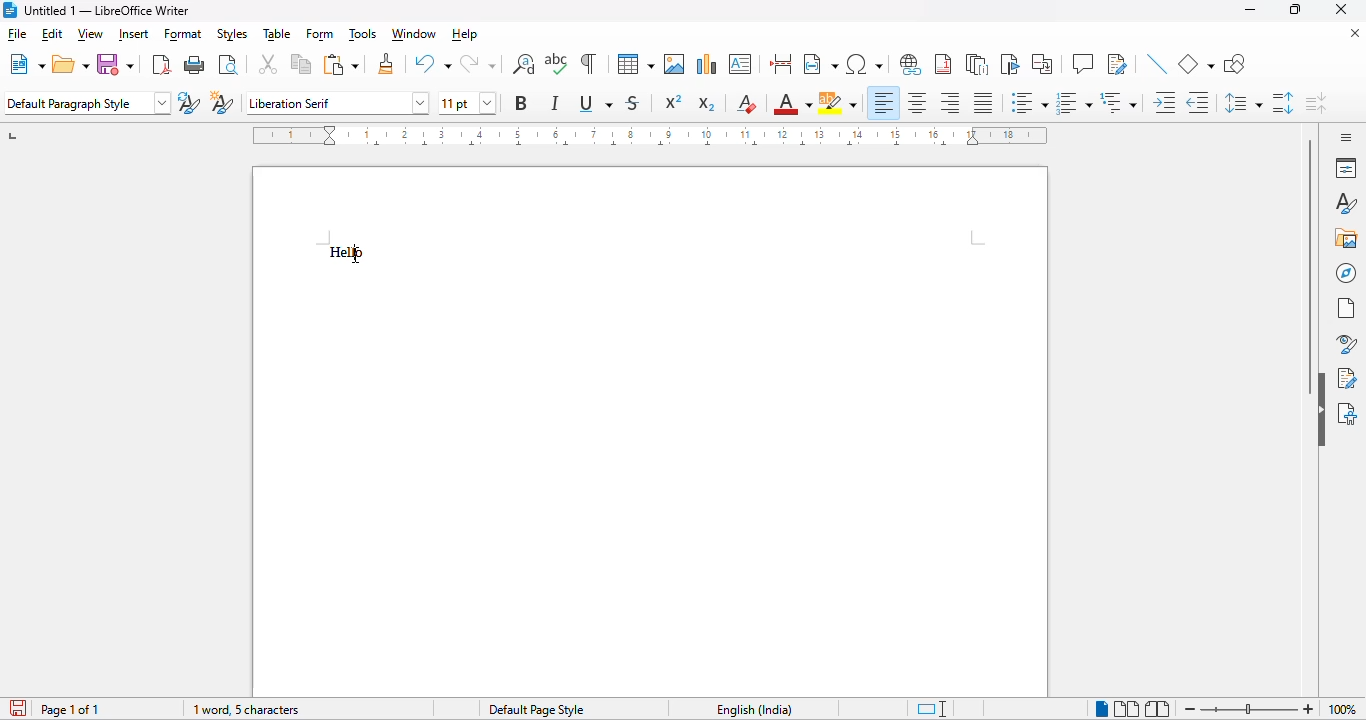 This screenshot has width=1366, height=720. I want to click on copy, so click(301, 64).